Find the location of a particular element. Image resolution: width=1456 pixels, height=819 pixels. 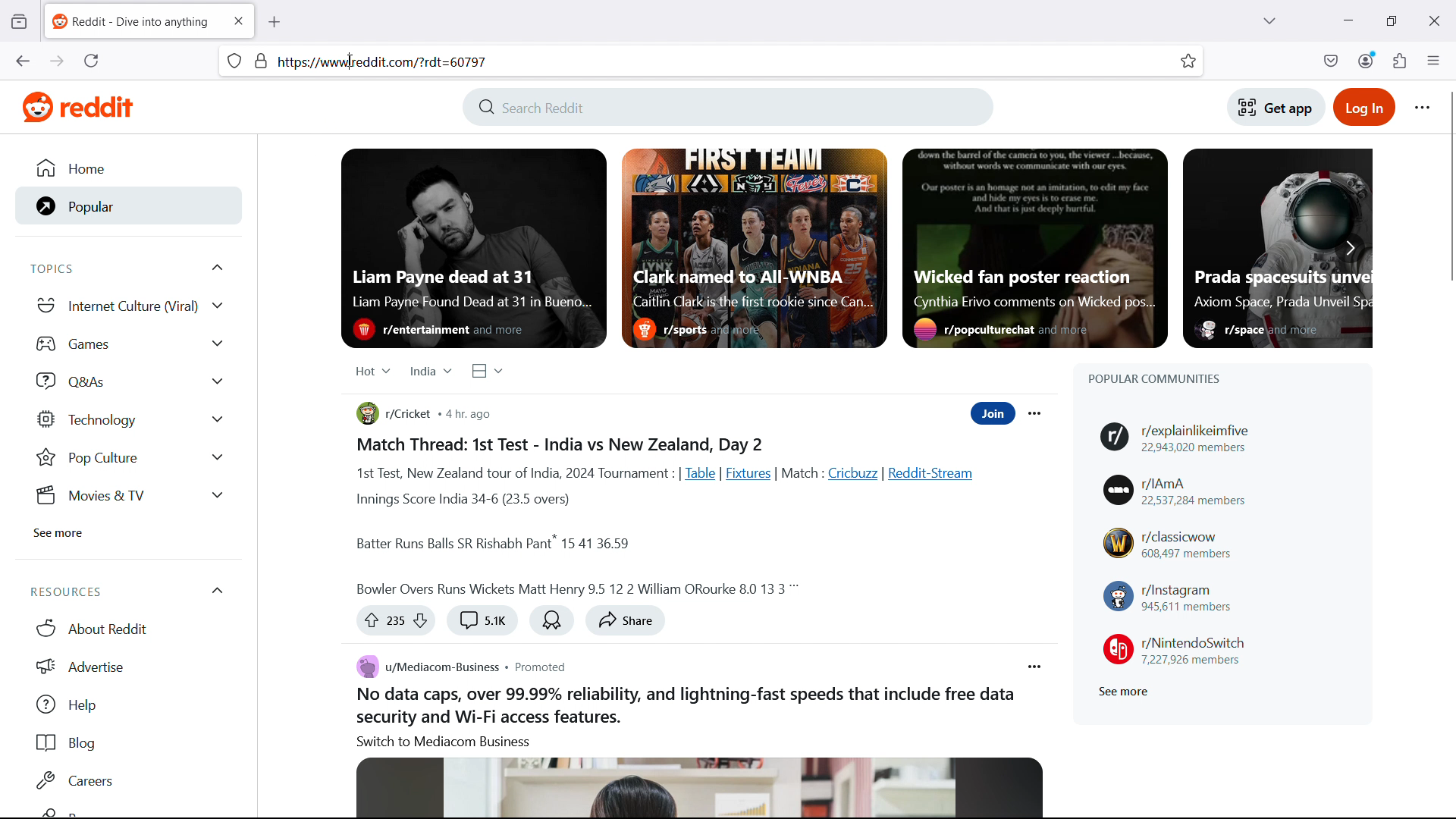

open application menu is located at coordinates (1432, 60).